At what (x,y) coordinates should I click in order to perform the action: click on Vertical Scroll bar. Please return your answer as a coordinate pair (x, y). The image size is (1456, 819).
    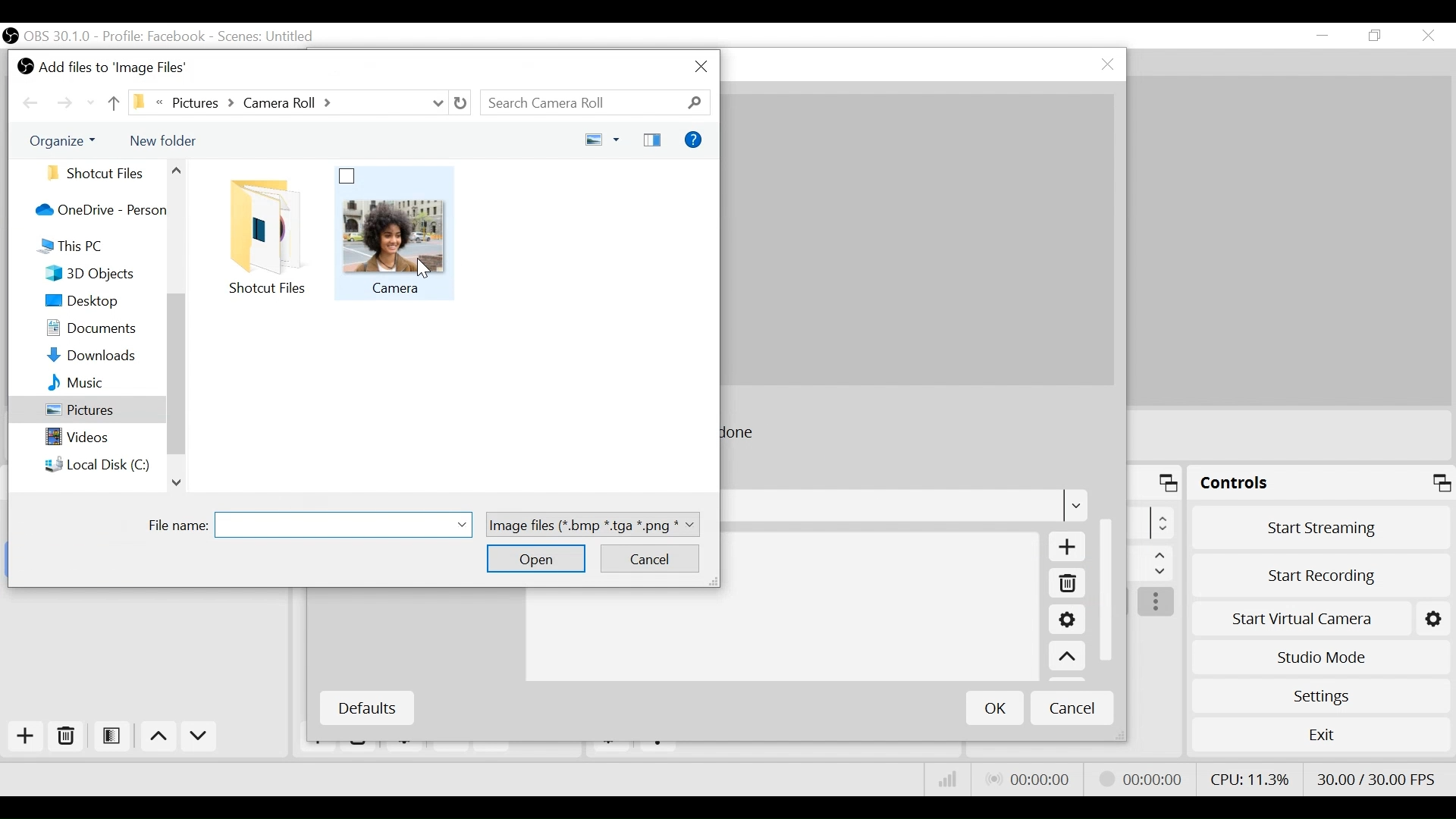
    Looking at the image, I should click on (178, 372).